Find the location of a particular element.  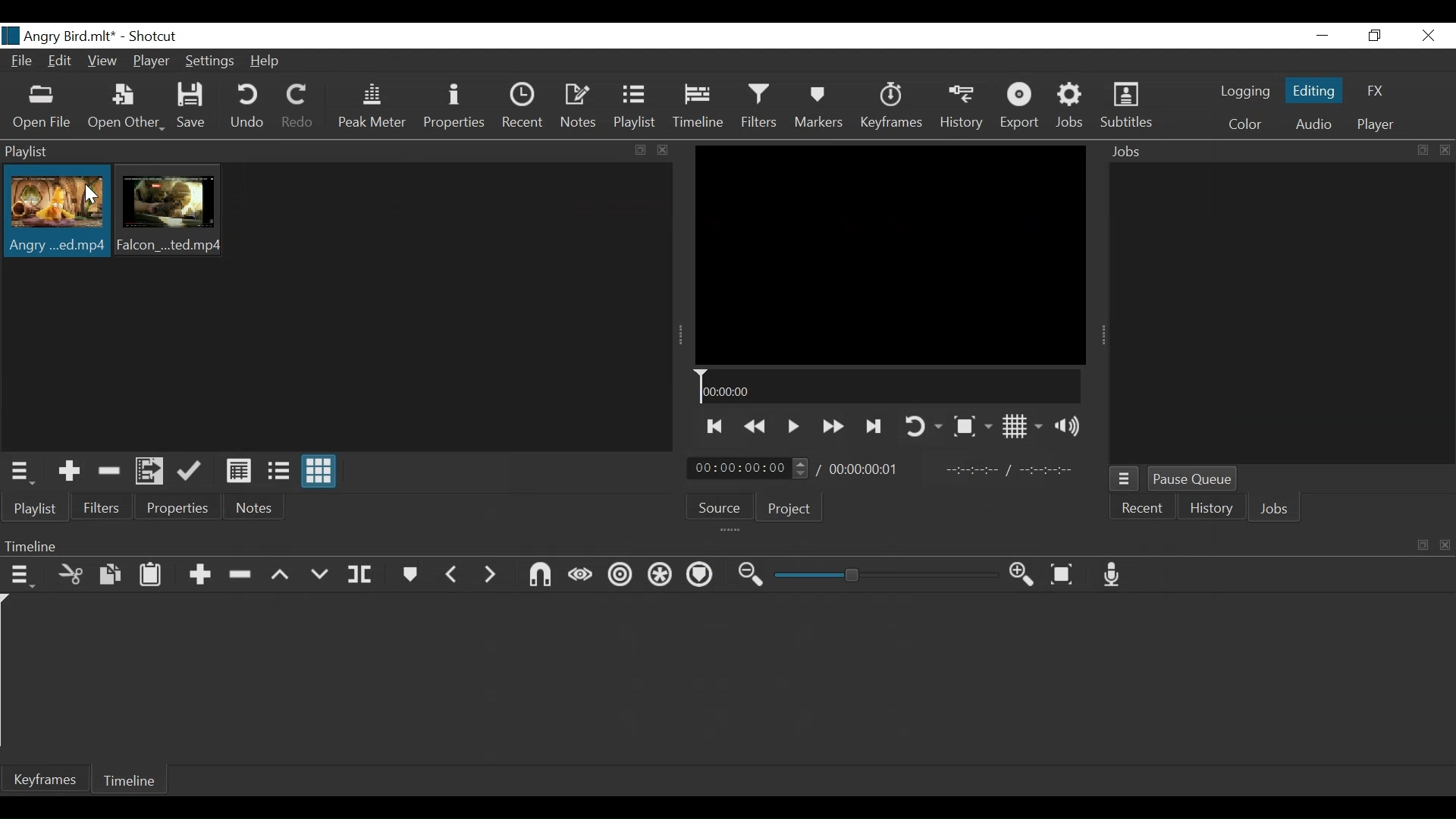

Markers is located at coordinates (821, 108).